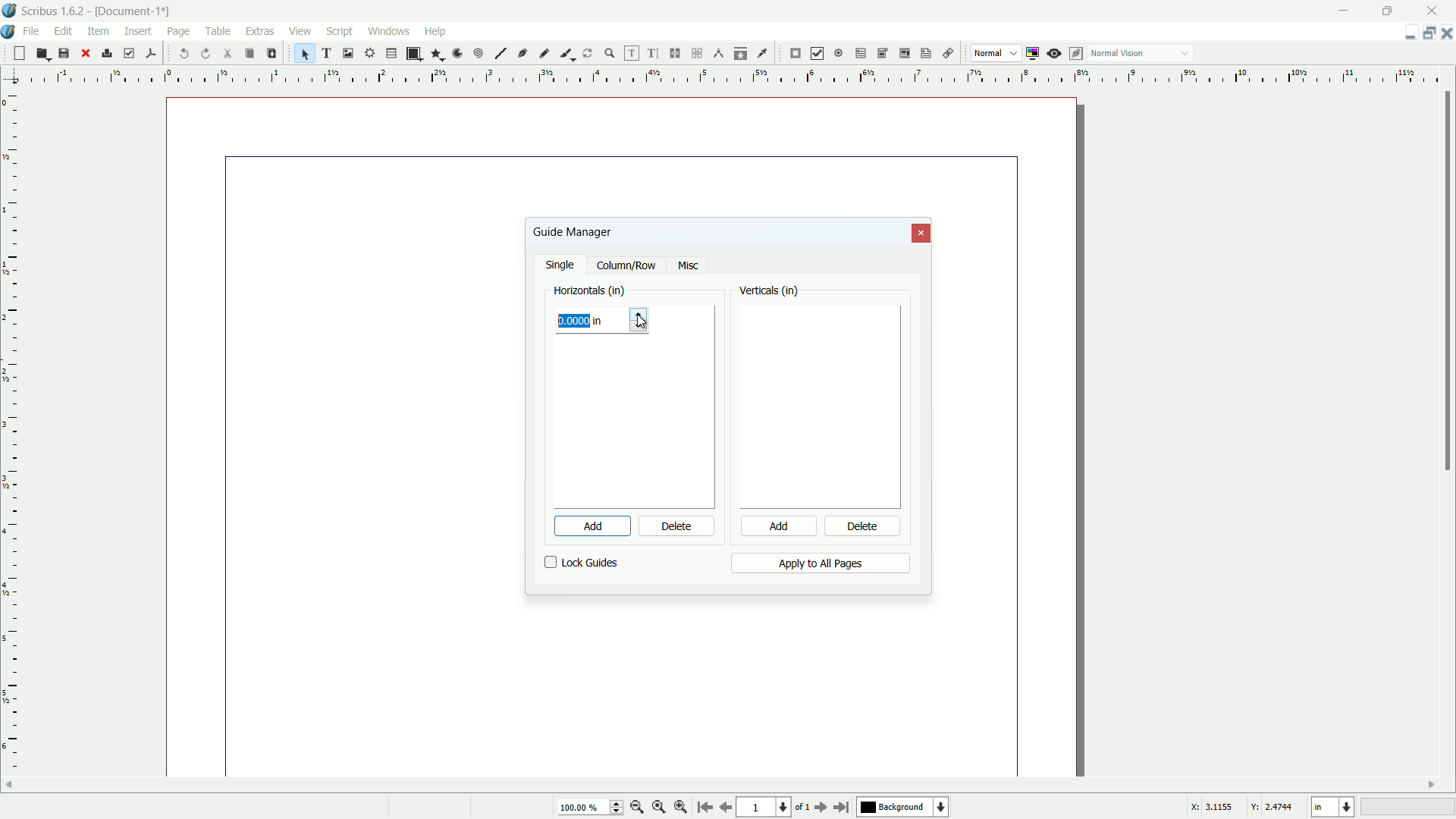 This screenshot has height=819, width=1456. I want to click on preflight verifier, so click(129, 54).